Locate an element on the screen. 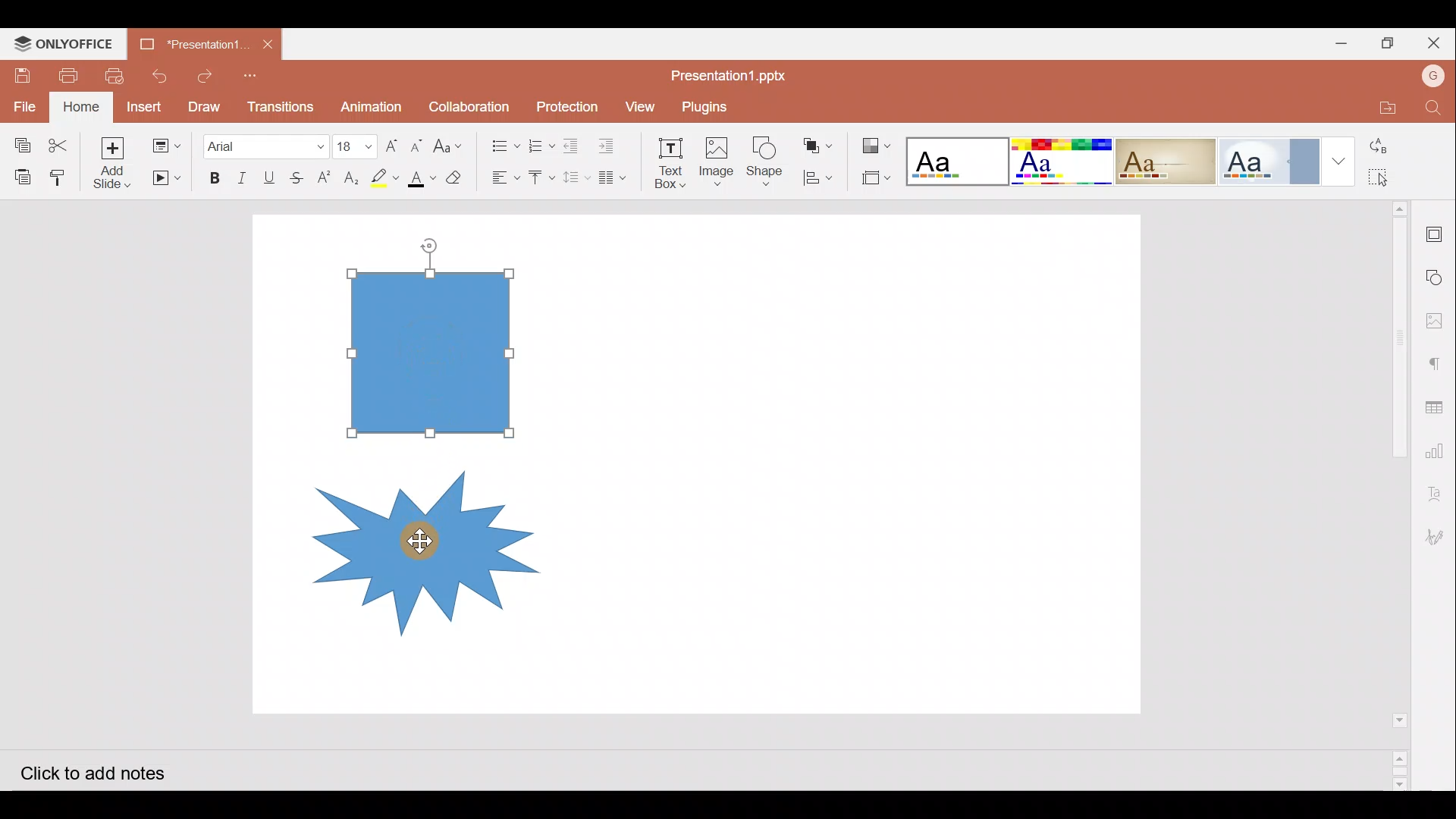 This screenshot has width=1456, height=819. Numbering is located at coordinates (537, 143).